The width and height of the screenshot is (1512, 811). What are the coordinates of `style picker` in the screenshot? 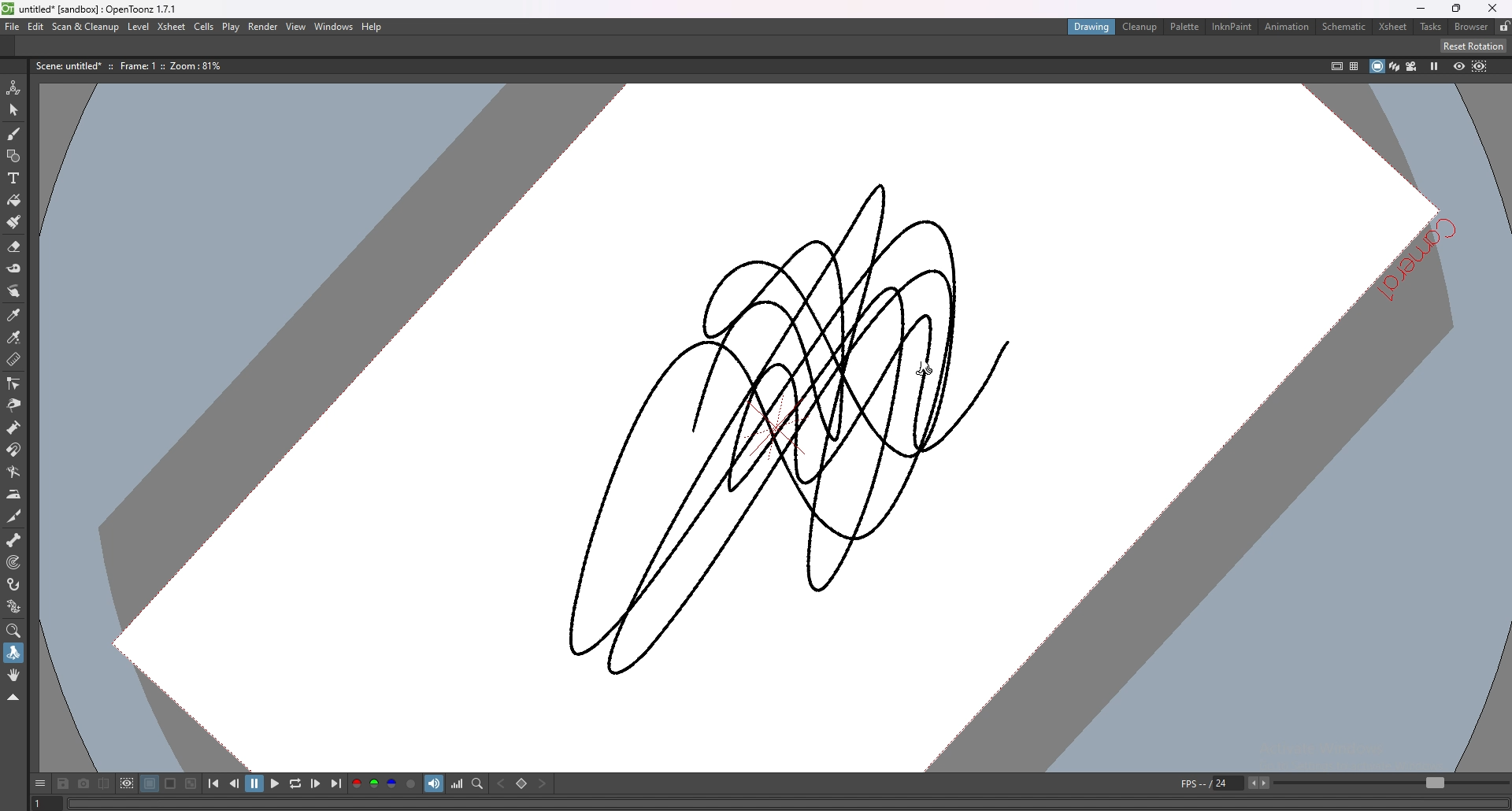 It's located at (15, 315).